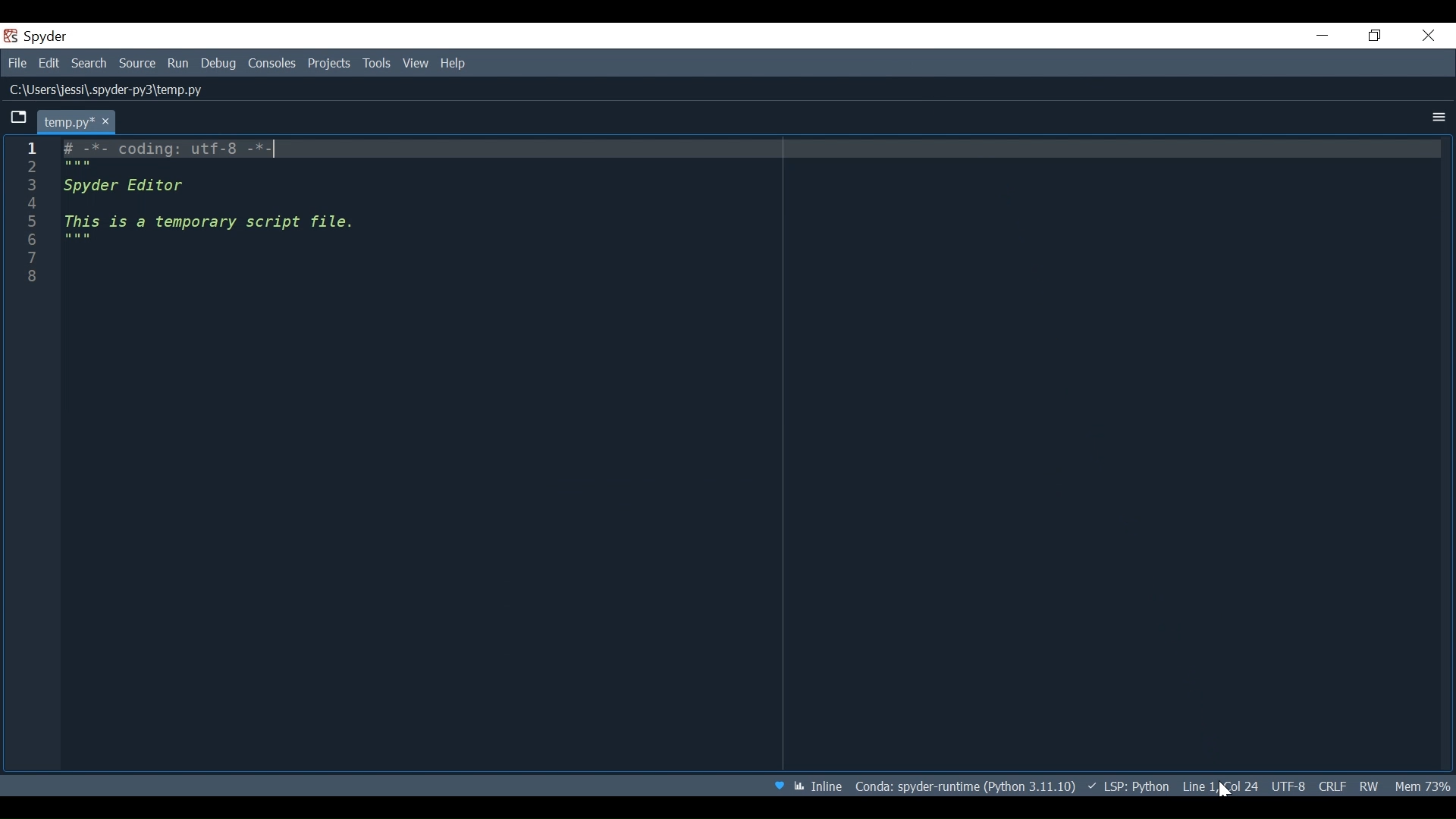 Image resolution: width=1456 pixels, height=819 pixels. What do you see at coordinates (49, 63) in the screenshot?
I see `Edit` at bounding box center [49, 63].